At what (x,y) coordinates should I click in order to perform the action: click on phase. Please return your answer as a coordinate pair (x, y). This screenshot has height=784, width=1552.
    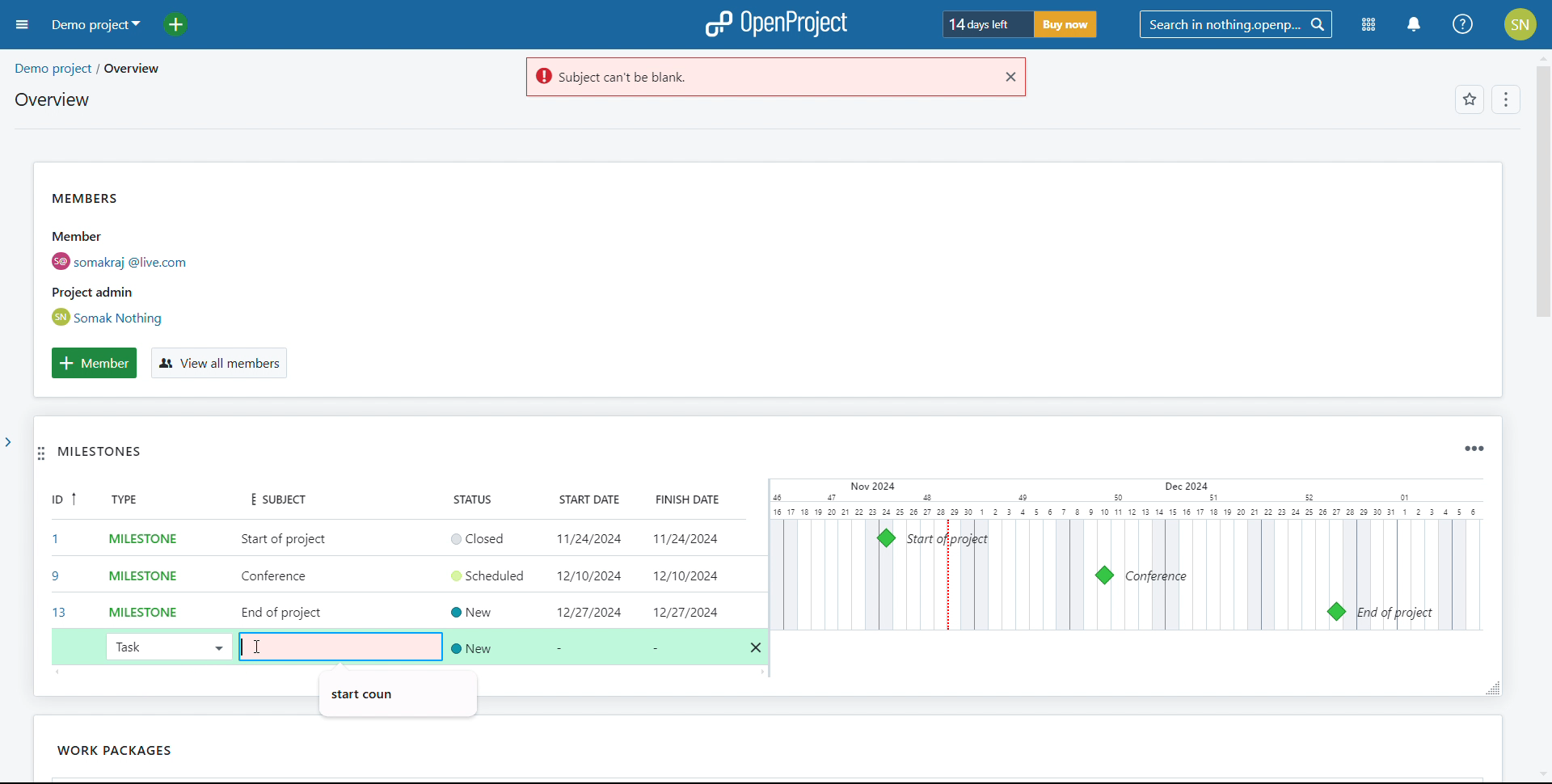
    Looking at the image, I should click on (168, 747).